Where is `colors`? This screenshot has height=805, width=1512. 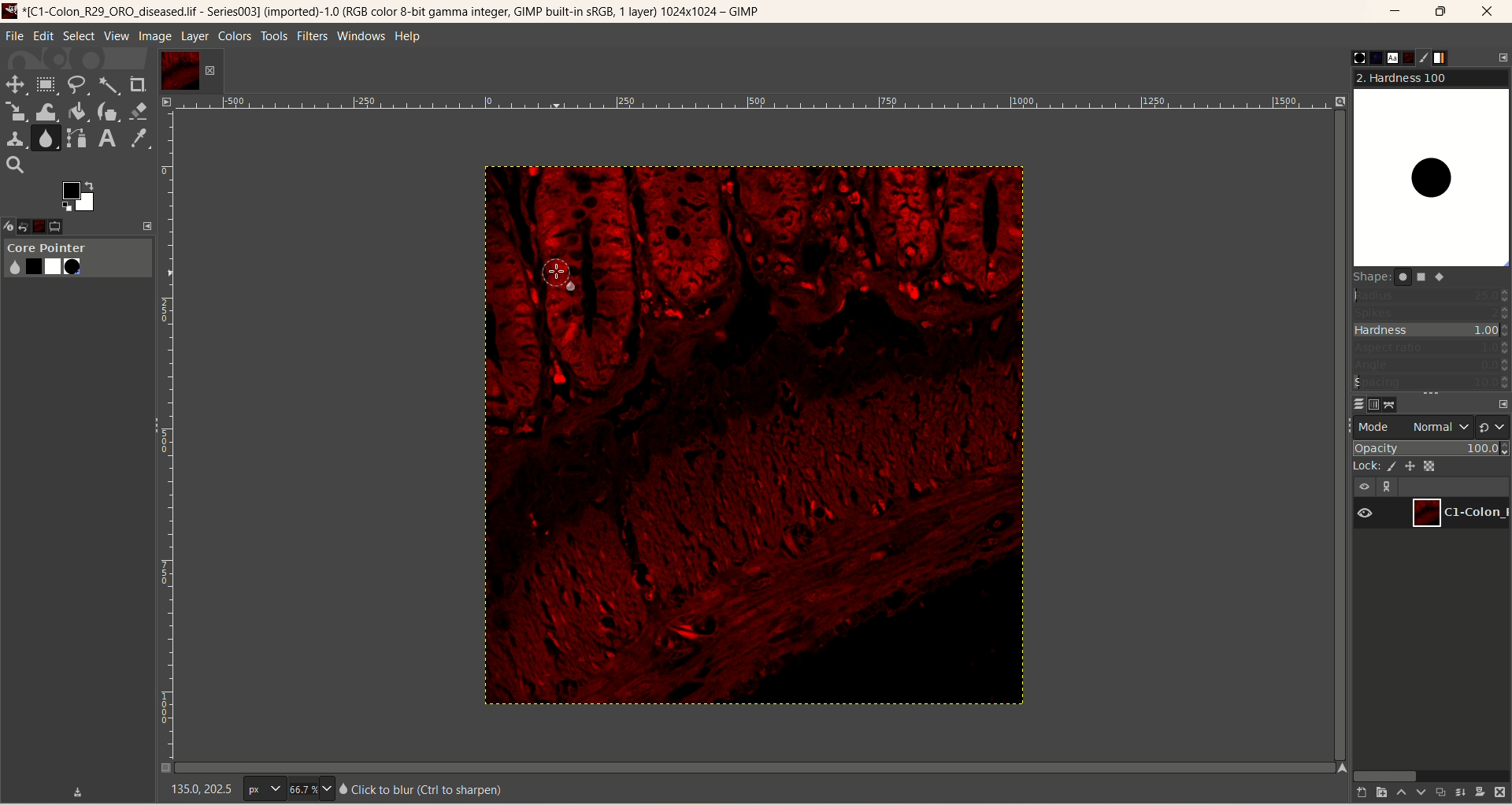 colors is located at coordinates (236, 36).